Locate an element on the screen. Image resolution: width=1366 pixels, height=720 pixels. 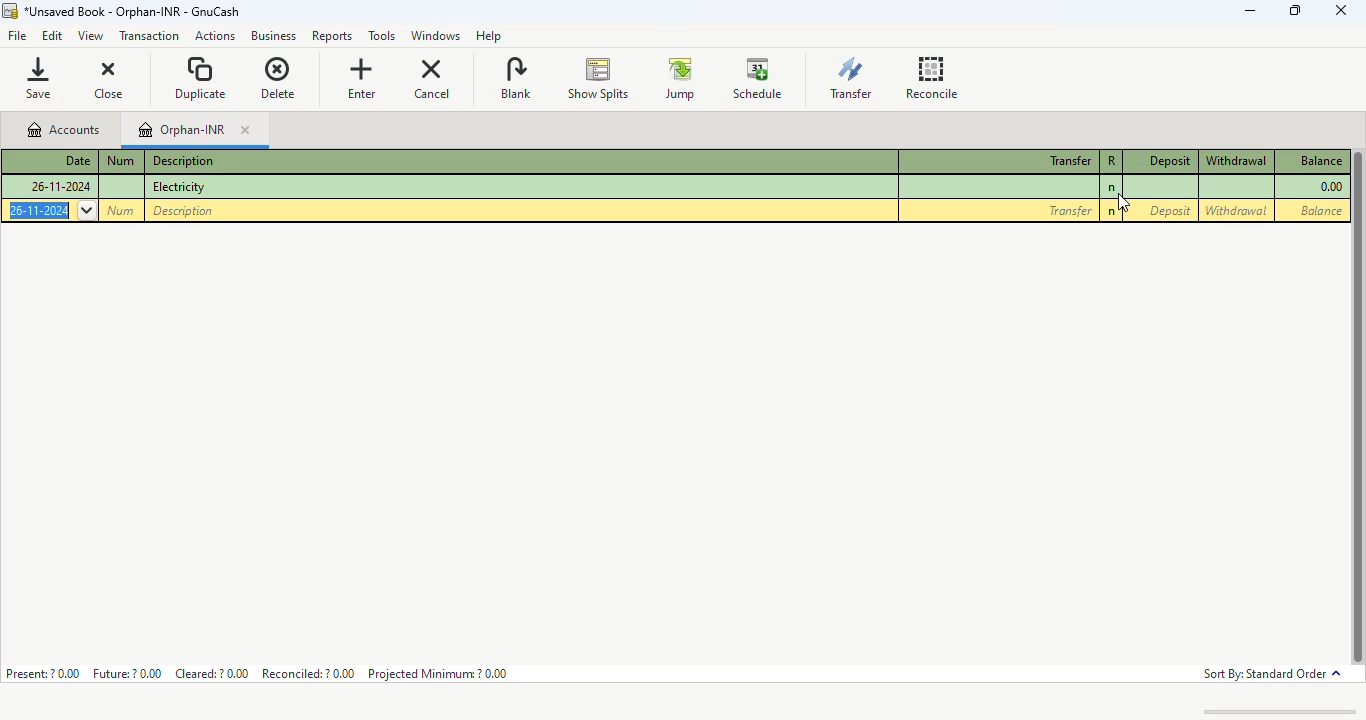
maximize is located at coordinates (1297, 10).